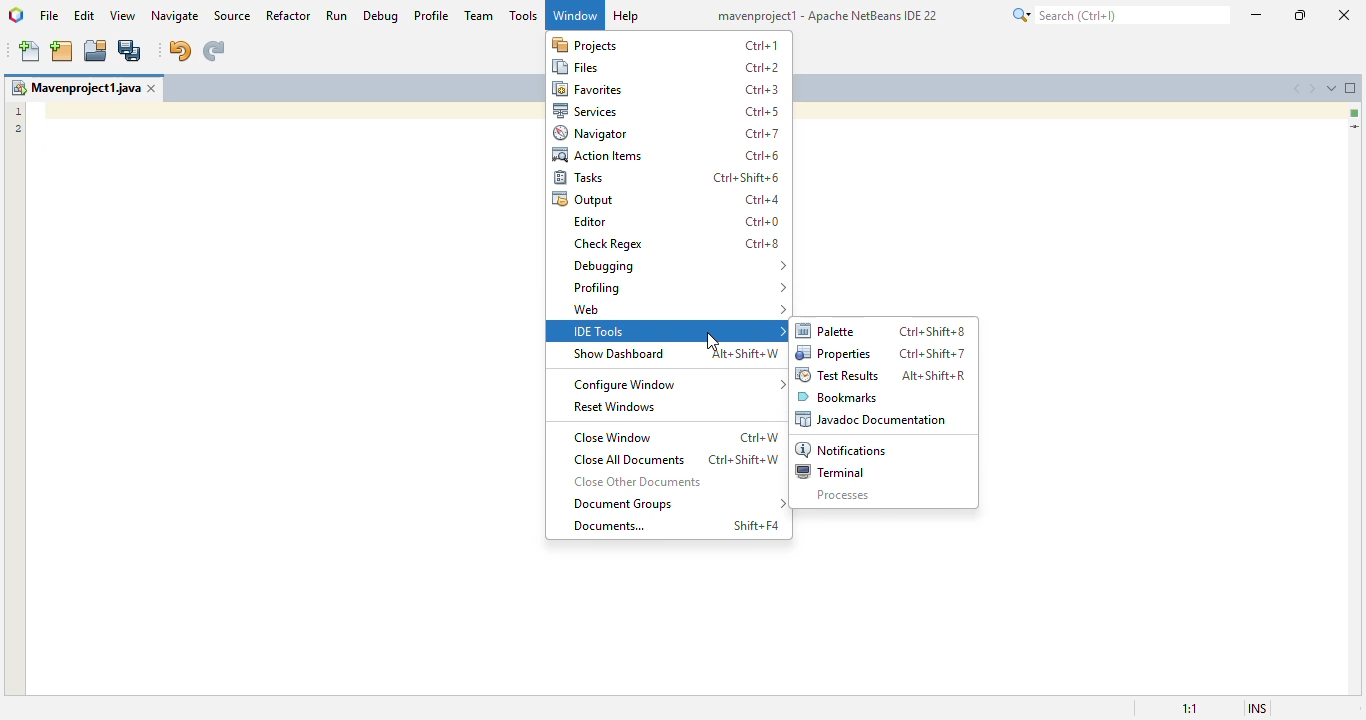 The height and width of the screenshot is (720, 1366). Describe the element at coordinates (1256, 14) in the screenshot. I see `minimize` at that location.